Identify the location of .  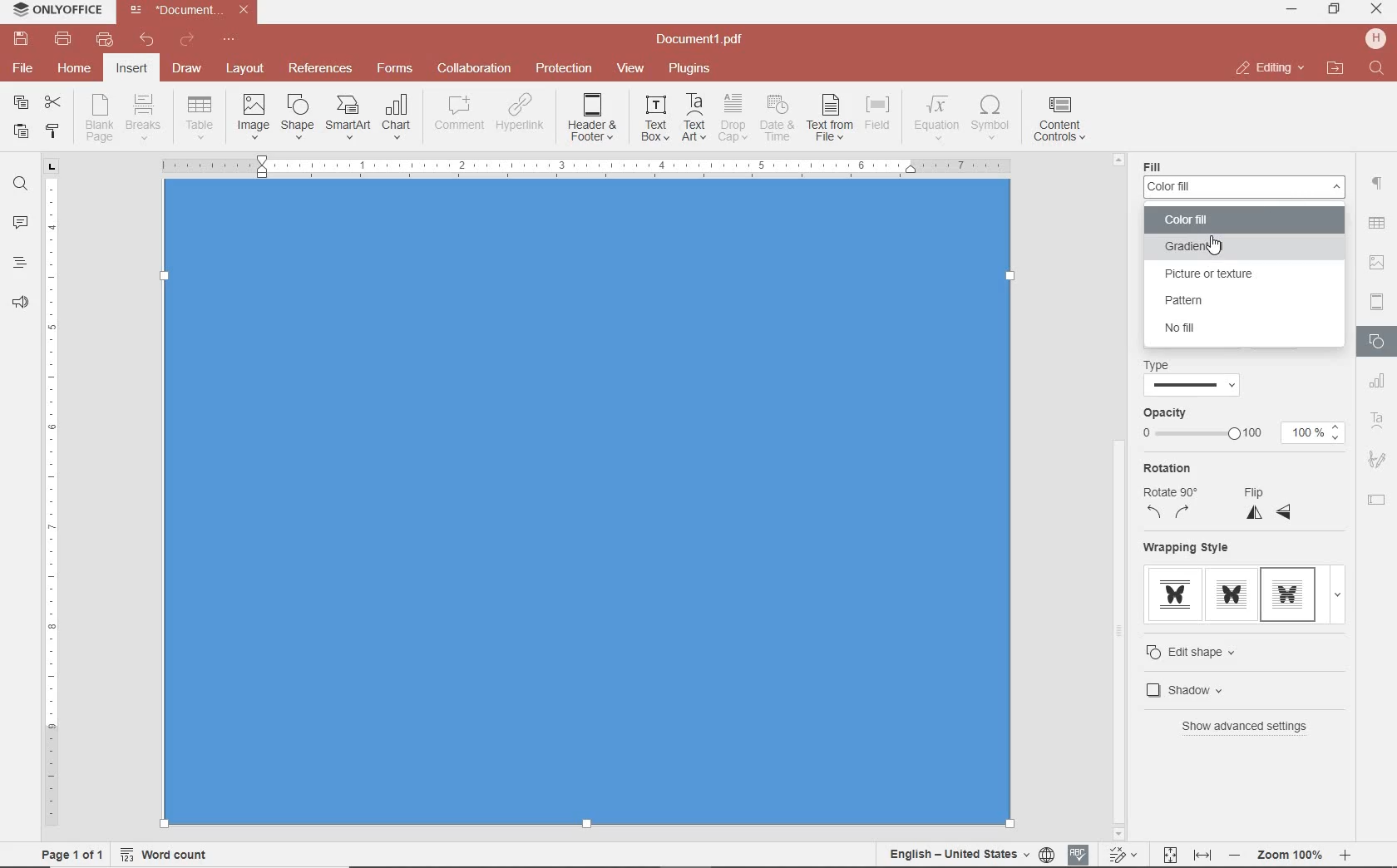
(1375, 224).